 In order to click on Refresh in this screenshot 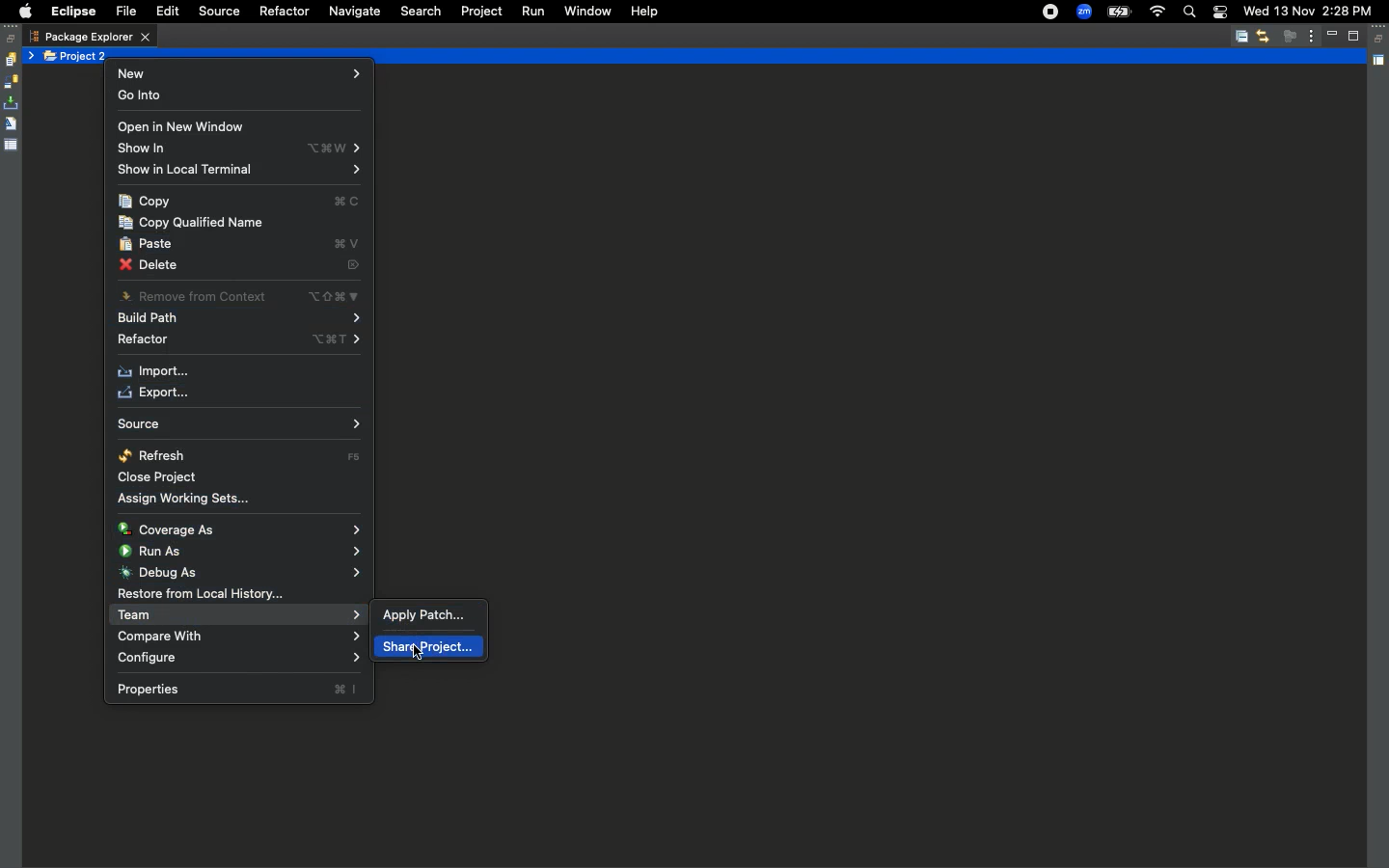, I will do `click(242, 455)`.